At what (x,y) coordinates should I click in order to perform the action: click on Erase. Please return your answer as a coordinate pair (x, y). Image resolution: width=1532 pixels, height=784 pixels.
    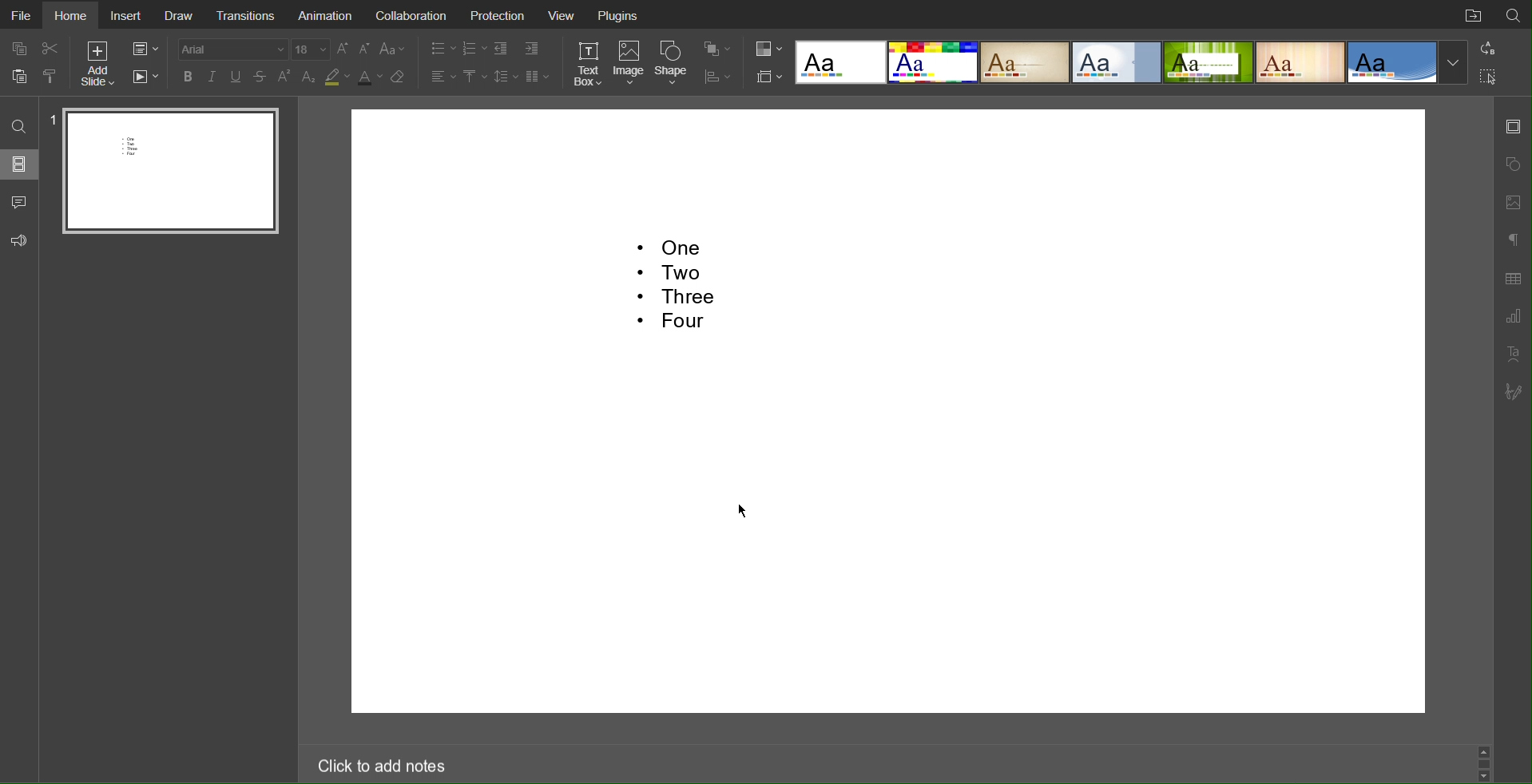
    Looking at the image, I should click on (399, 76).